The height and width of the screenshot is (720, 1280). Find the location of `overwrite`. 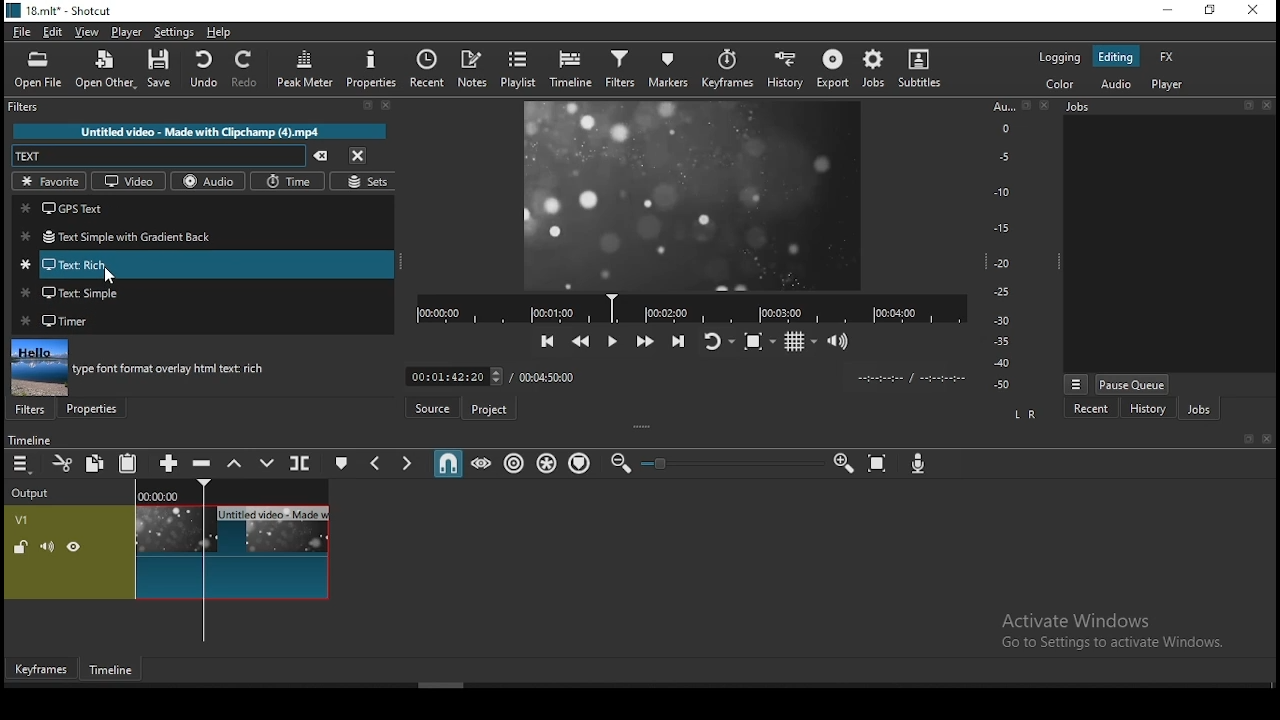

overwrite is located at coordinates (266, 462).